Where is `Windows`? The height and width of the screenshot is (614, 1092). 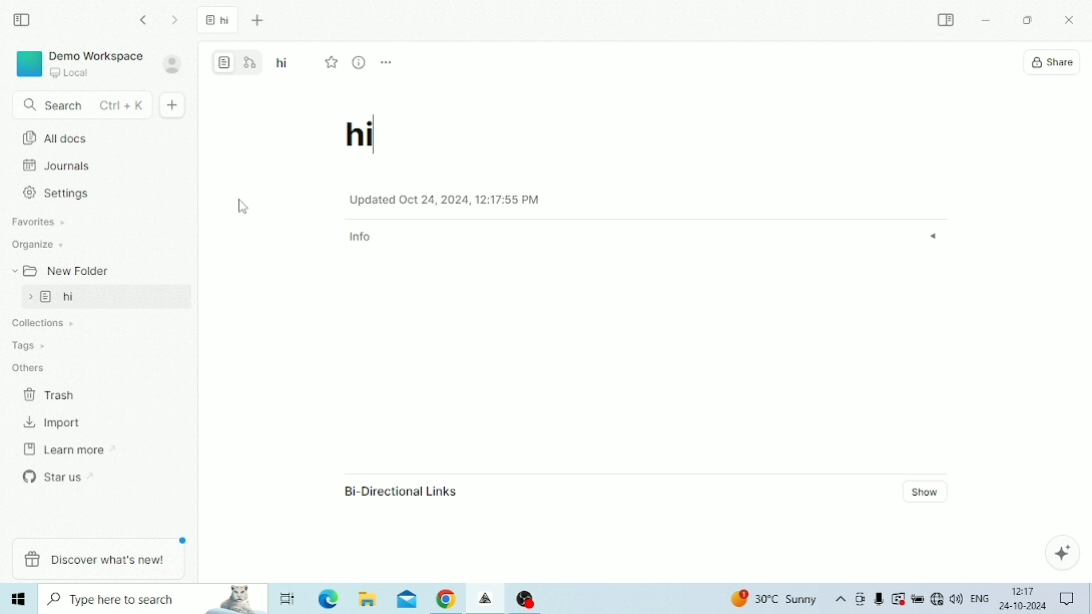
Windows is located at coordinates (20, 599).